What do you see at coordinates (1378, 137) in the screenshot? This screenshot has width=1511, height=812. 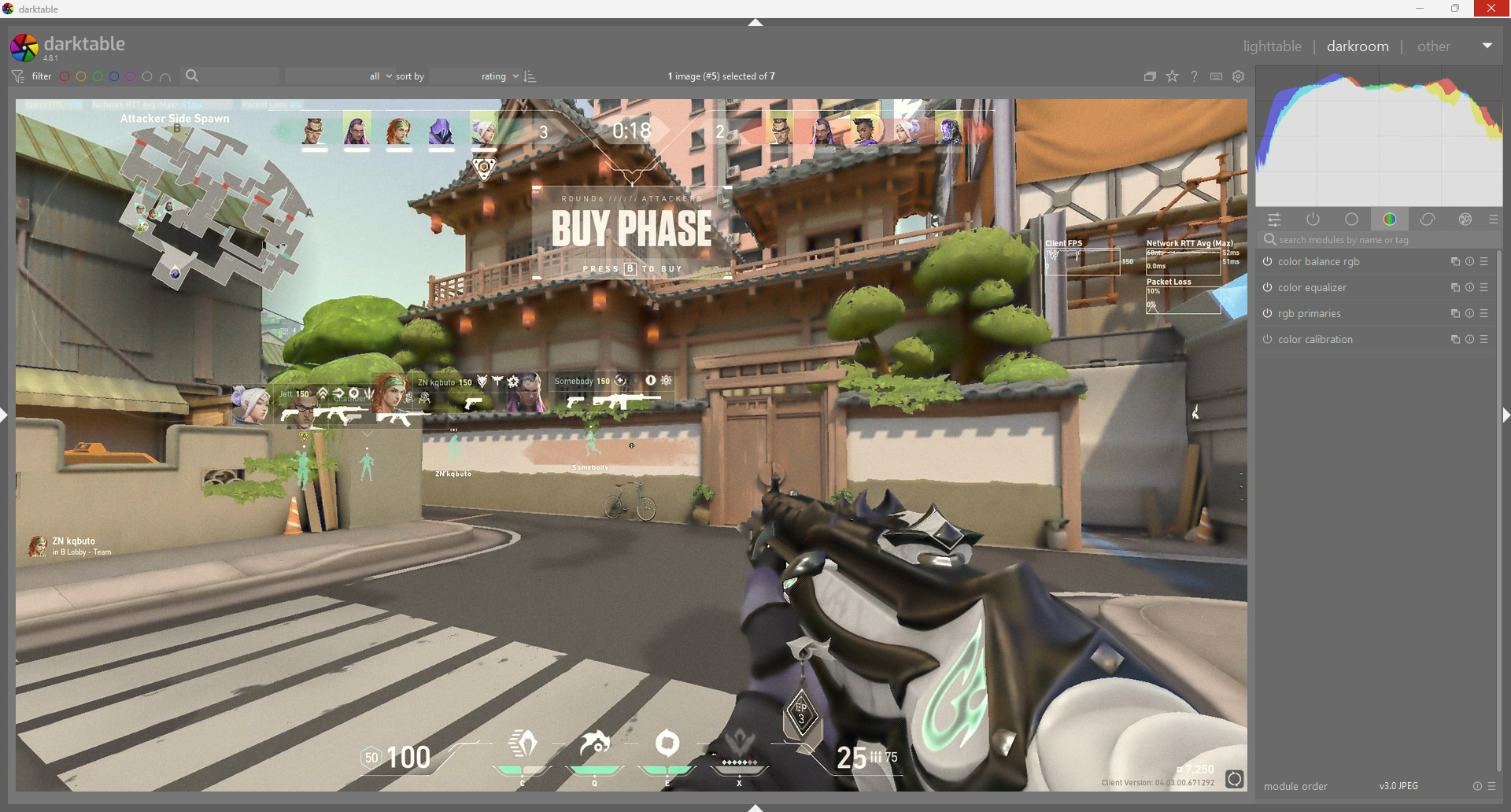 I see `heat graph` at bounding box center [1378, 137].